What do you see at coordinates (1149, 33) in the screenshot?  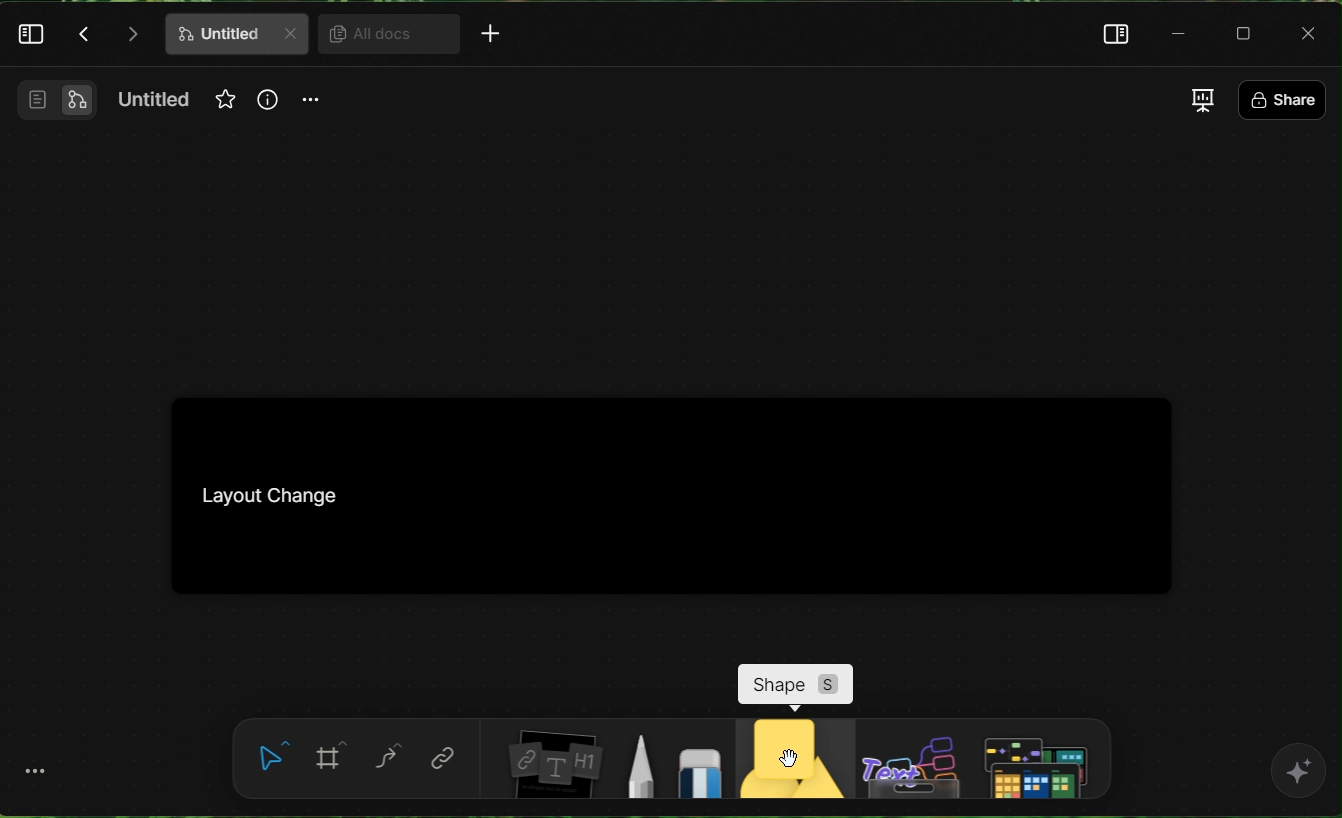 I see `minimize` at bounding box center [1149, 33].